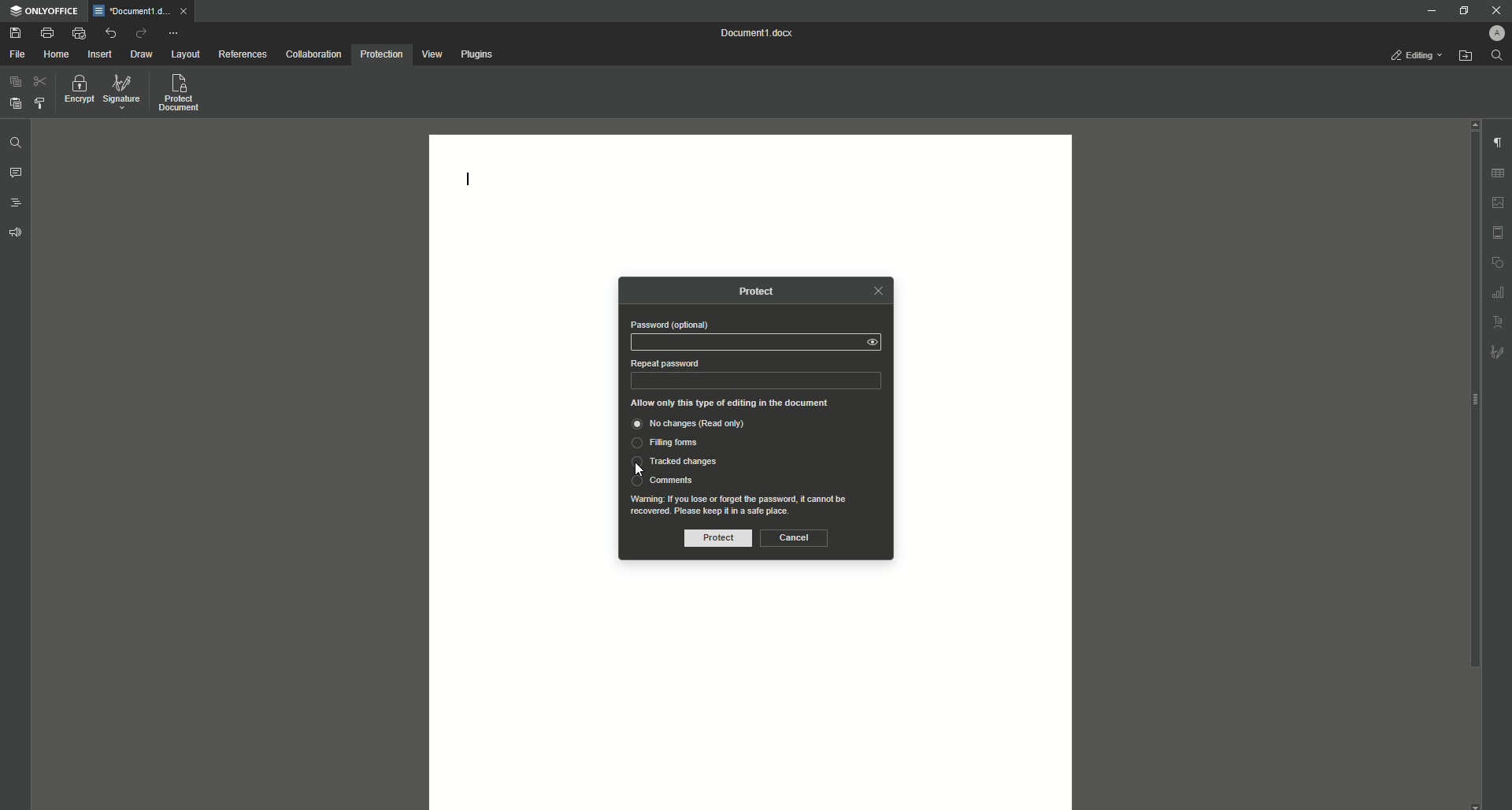 The height and width of the screenshot is (810, 1512). Describe the element at coordinates (1499, 263) in the screenshot. I see `Shape settings` at that location.